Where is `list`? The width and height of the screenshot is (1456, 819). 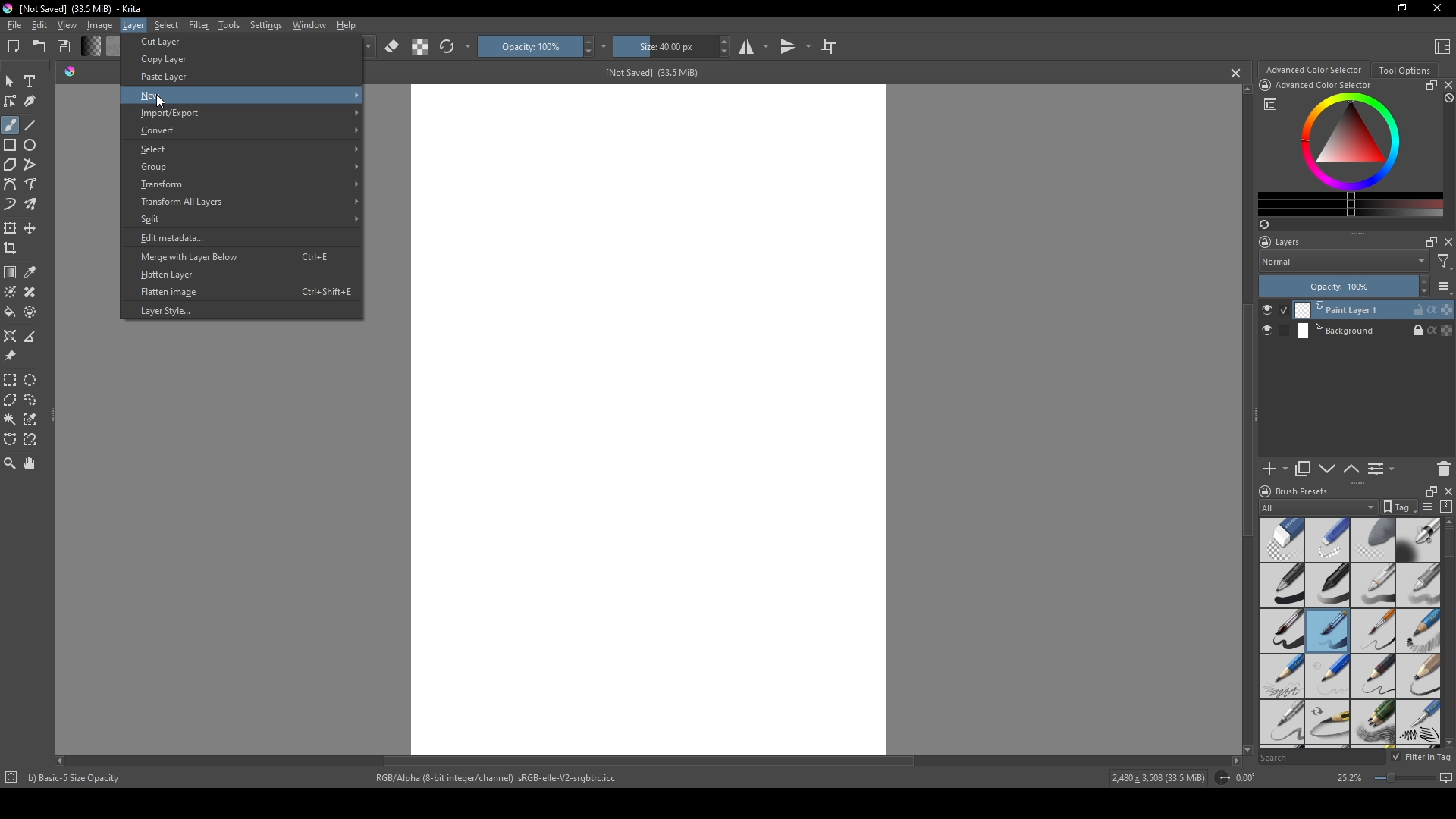 list is located at coordinates (1270, 104).